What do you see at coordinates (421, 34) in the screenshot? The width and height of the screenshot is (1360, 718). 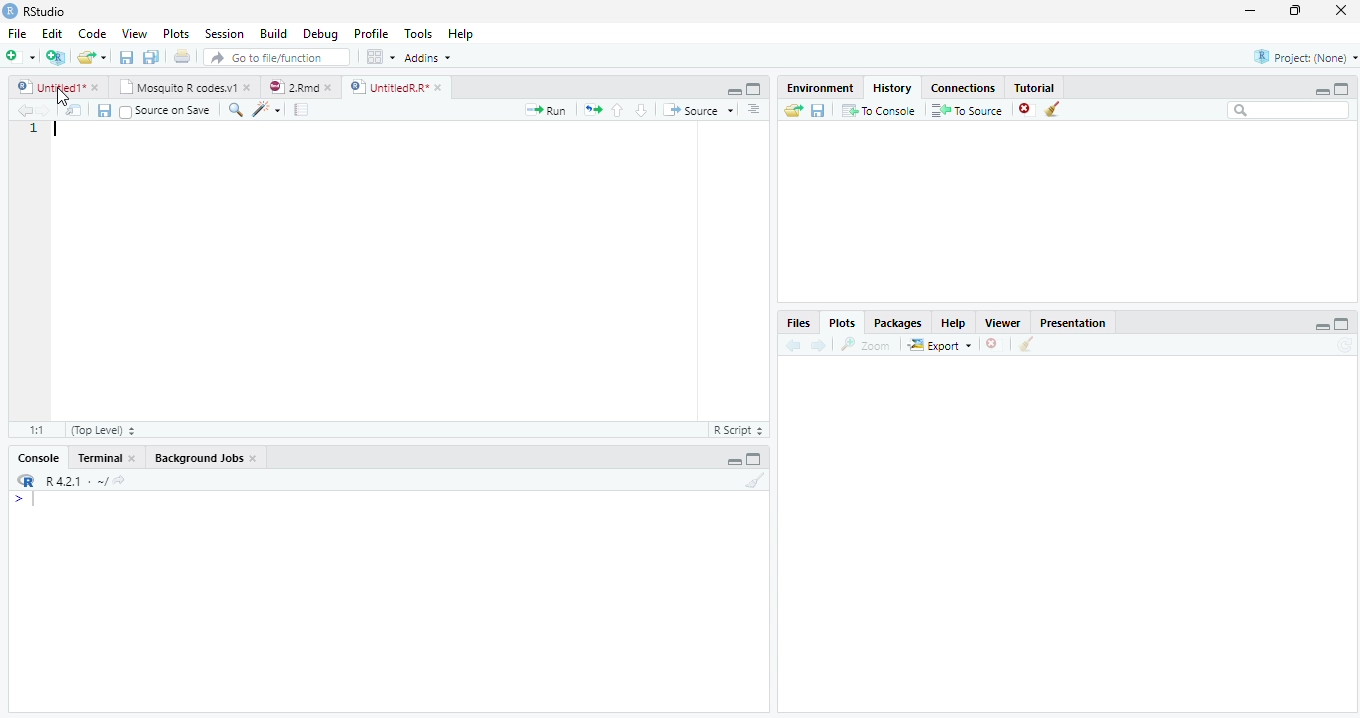 I see `Tools` at bounding box center [421, 34].